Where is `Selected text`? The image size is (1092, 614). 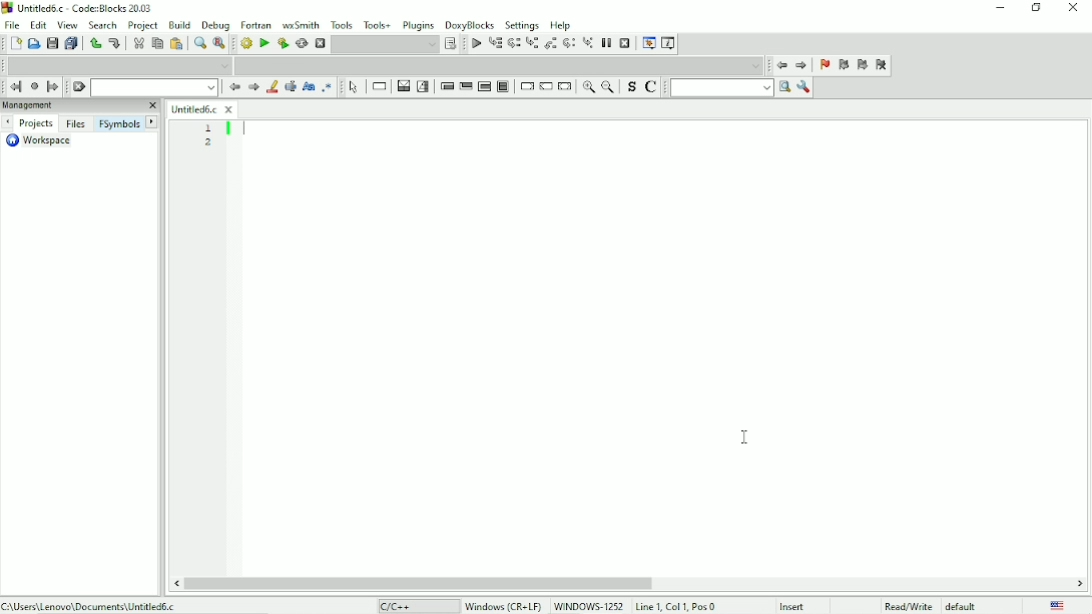
Selected text is located at coordinates (291, 87).